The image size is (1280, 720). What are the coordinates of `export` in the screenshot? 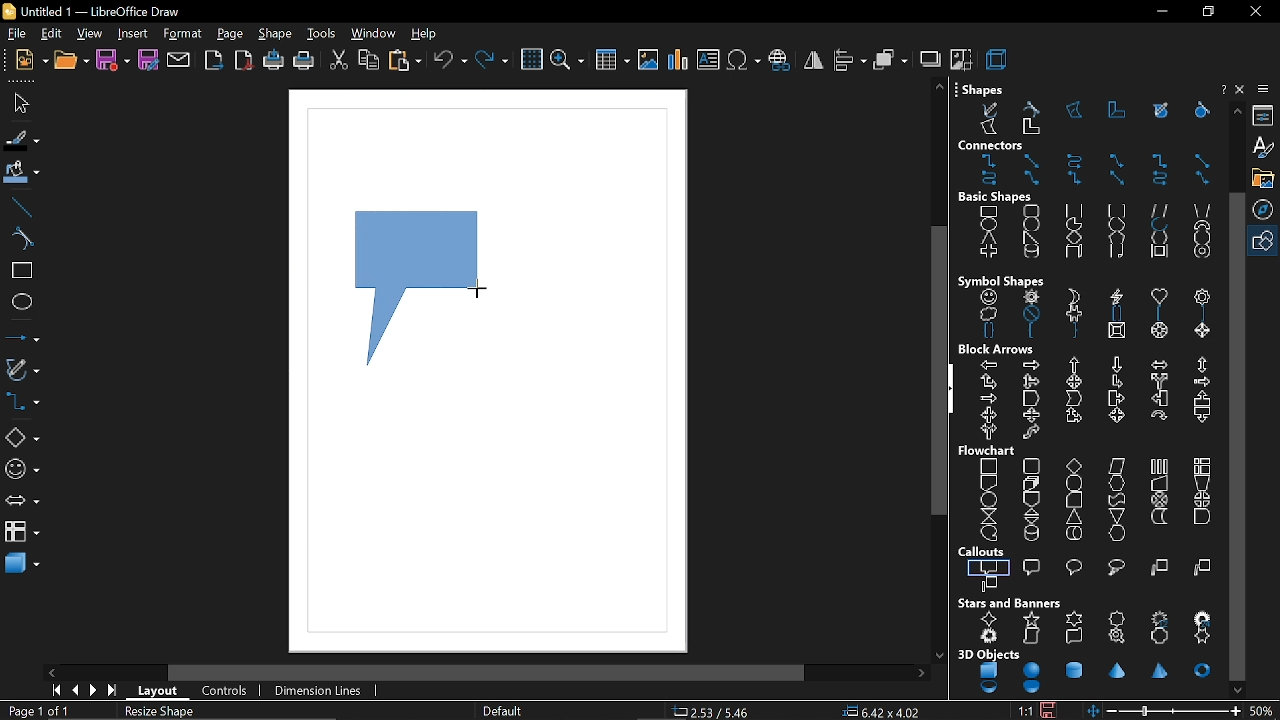 It's located at (214, 62).